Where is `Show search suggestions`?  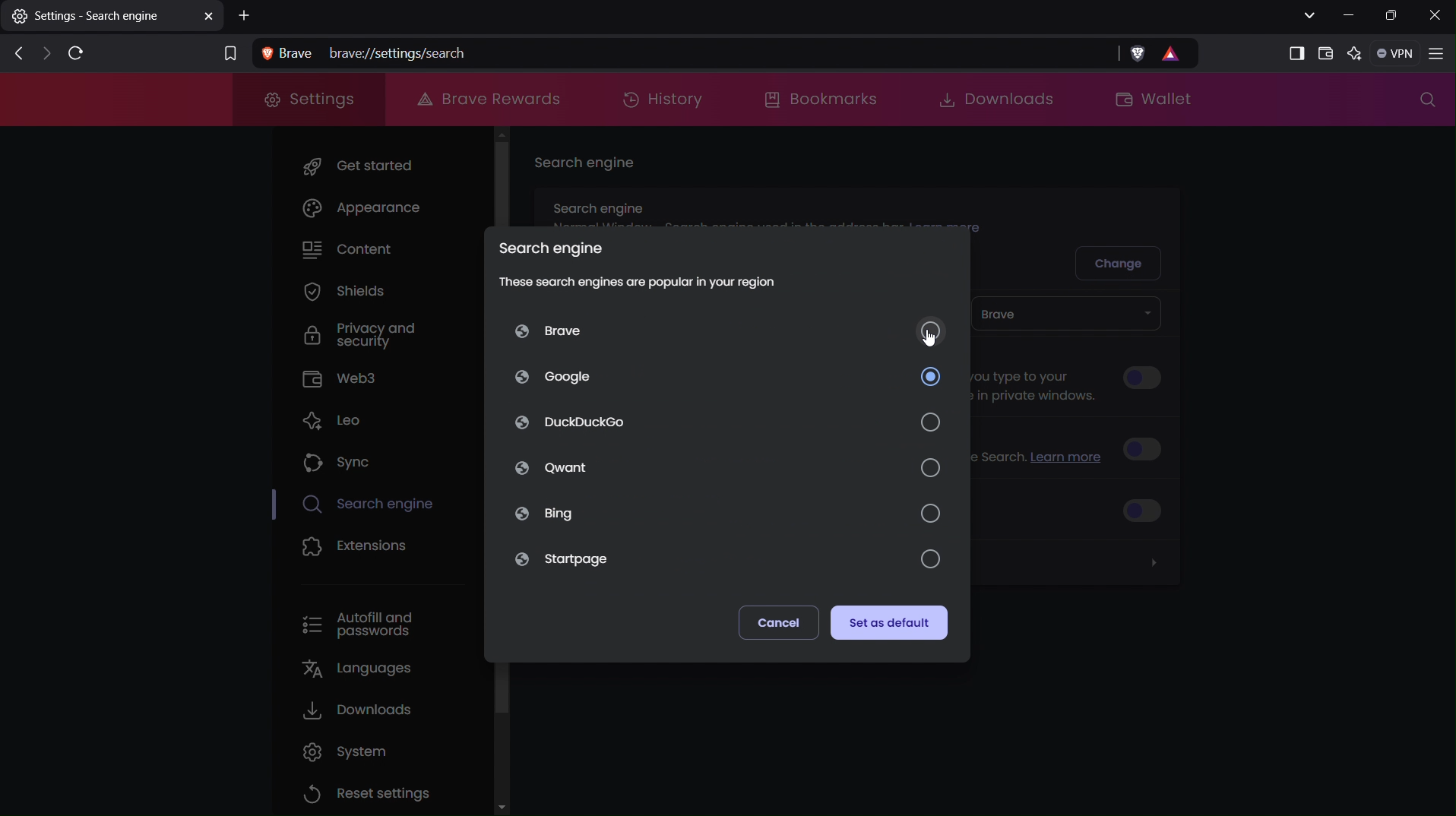
Show search suggestions is located at coordinates (1041, 378).